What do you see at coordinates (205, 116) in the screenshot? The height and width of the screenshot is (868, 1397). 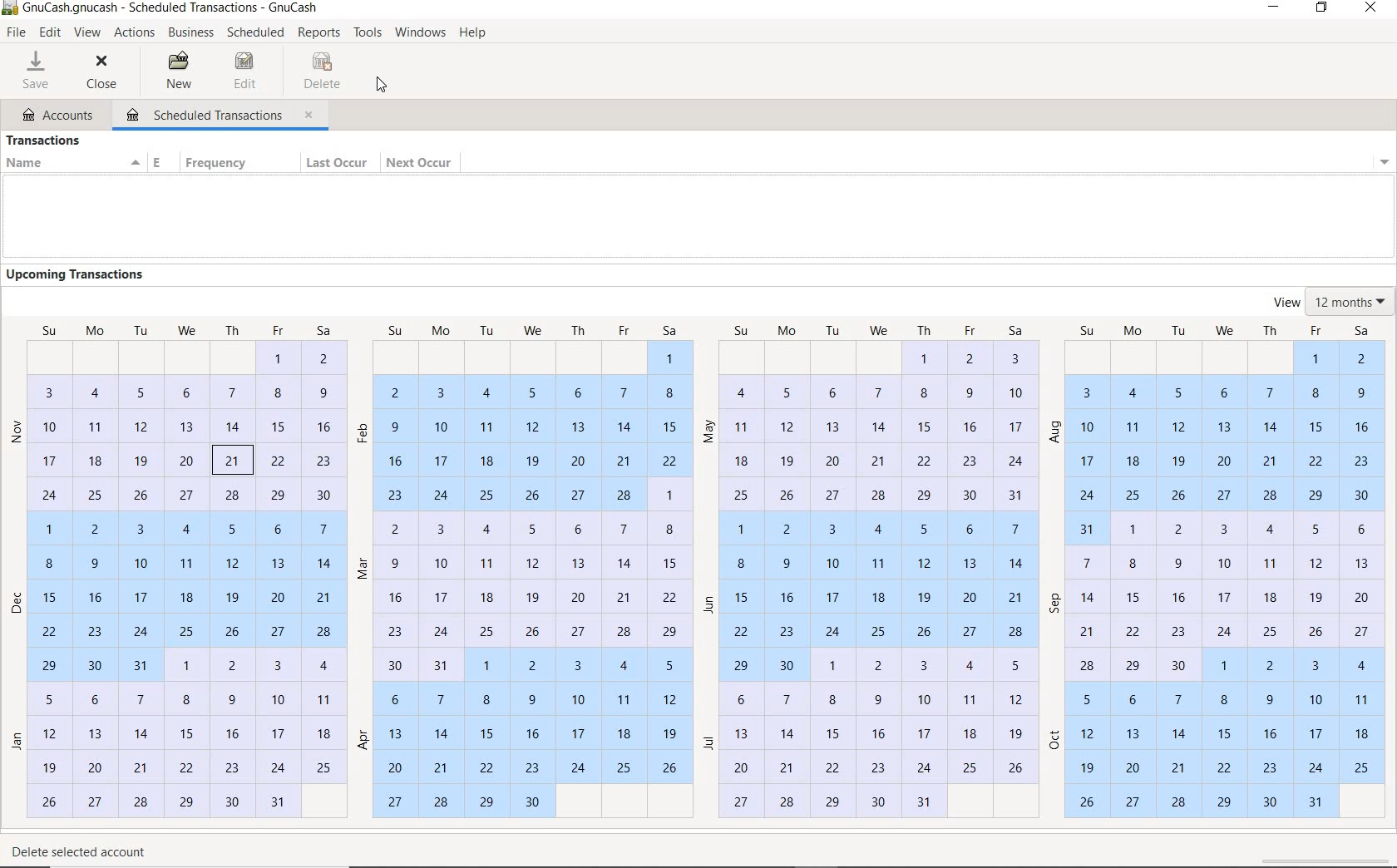 I see `SCHEDULED TRANSACTIONS` at bounding box center [205, 116].